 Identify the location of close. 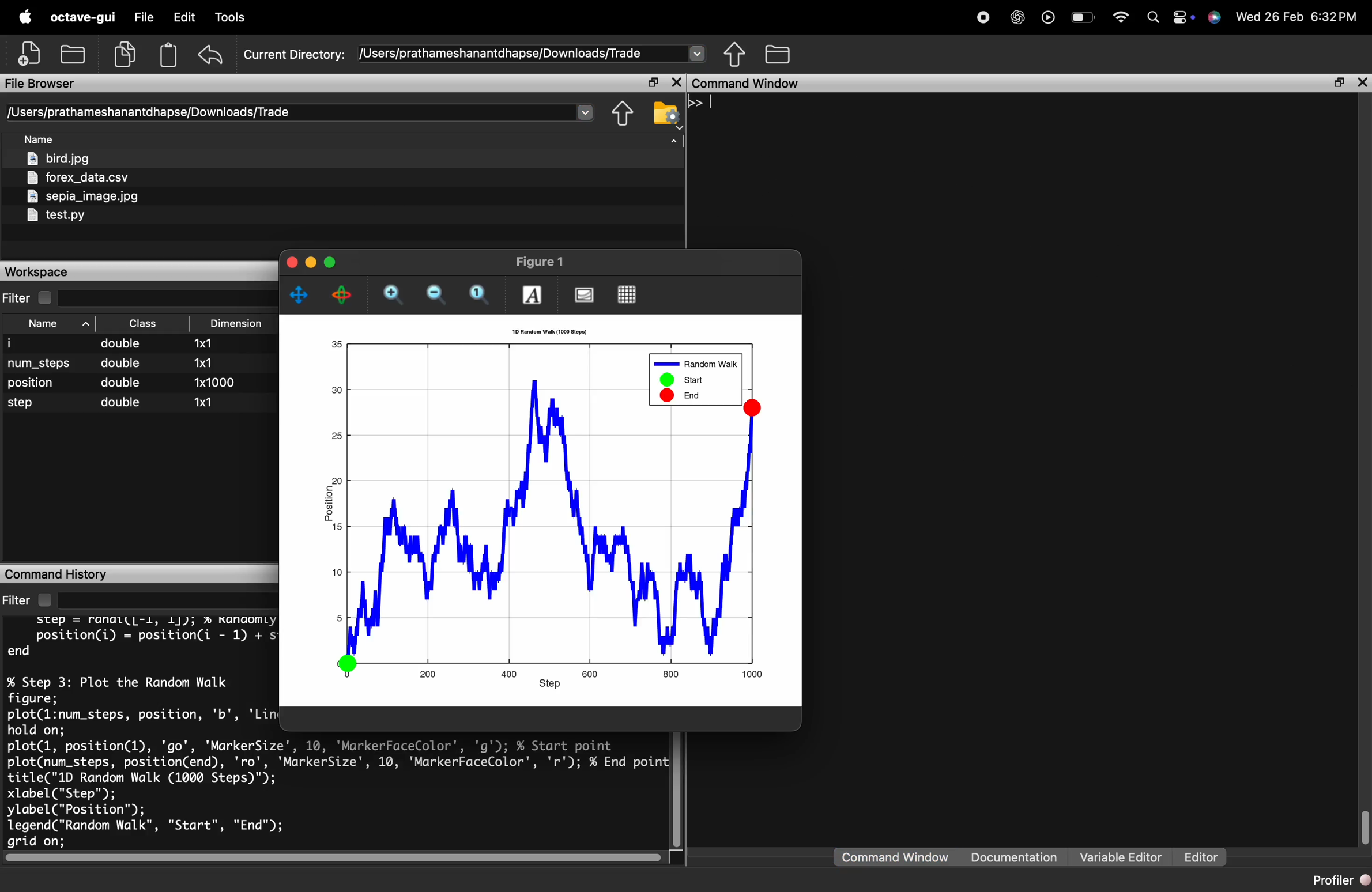
(1362, 82).